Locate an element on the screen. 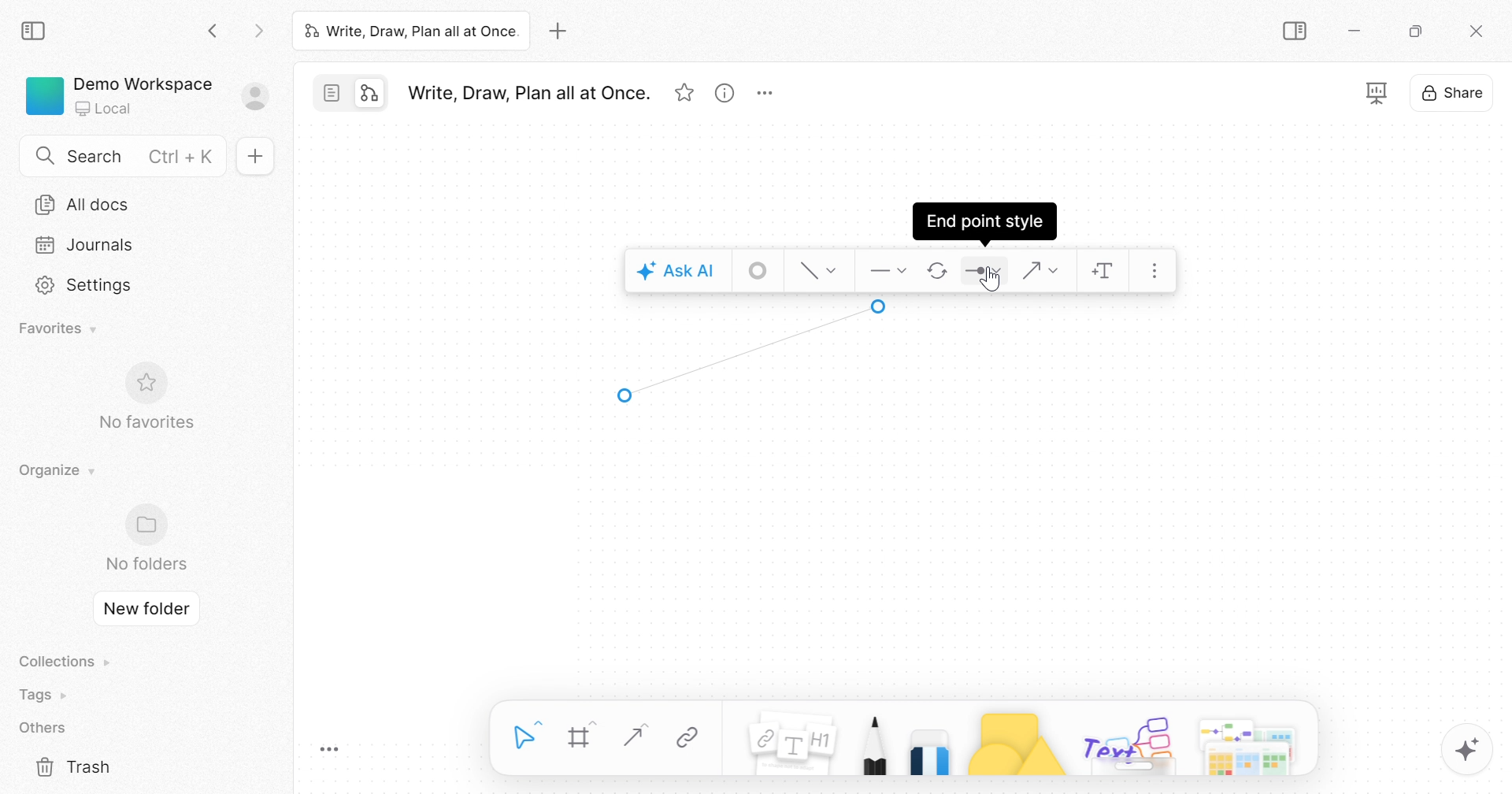 The image size is (1512, 794). Organize is located at coordinates (53, 470).